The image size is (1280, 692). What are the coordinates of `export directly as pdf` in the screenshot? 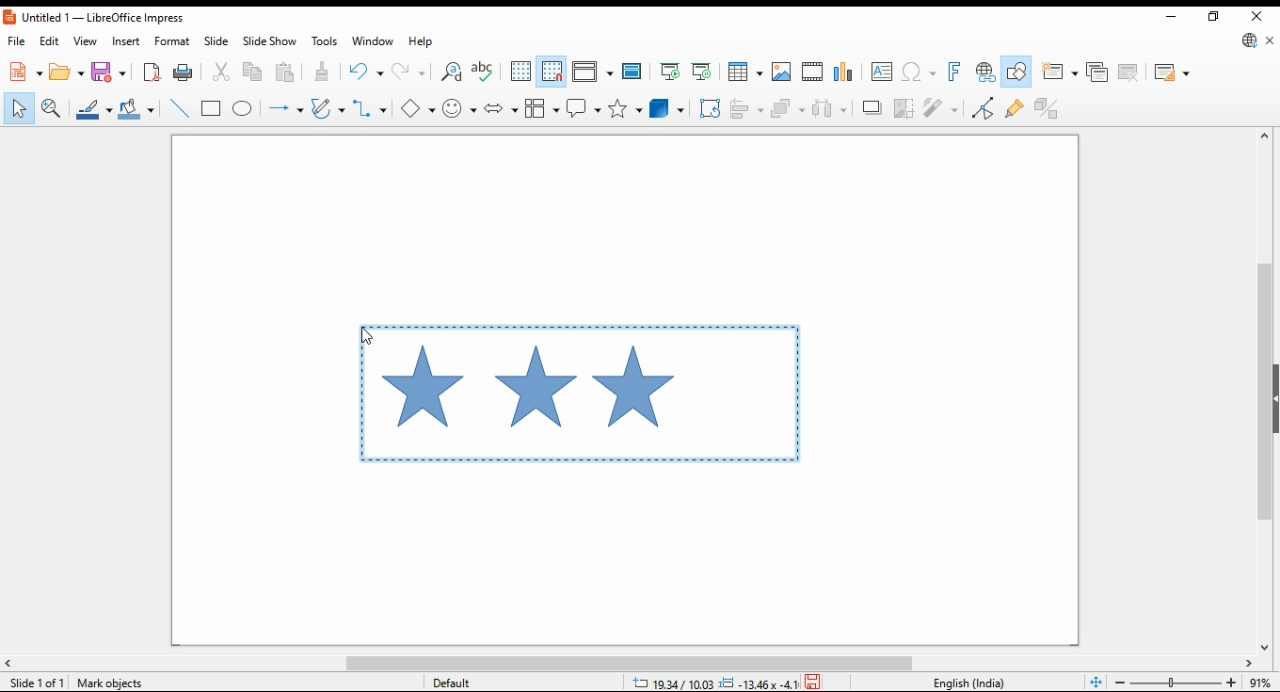 It's located at (151, 72).